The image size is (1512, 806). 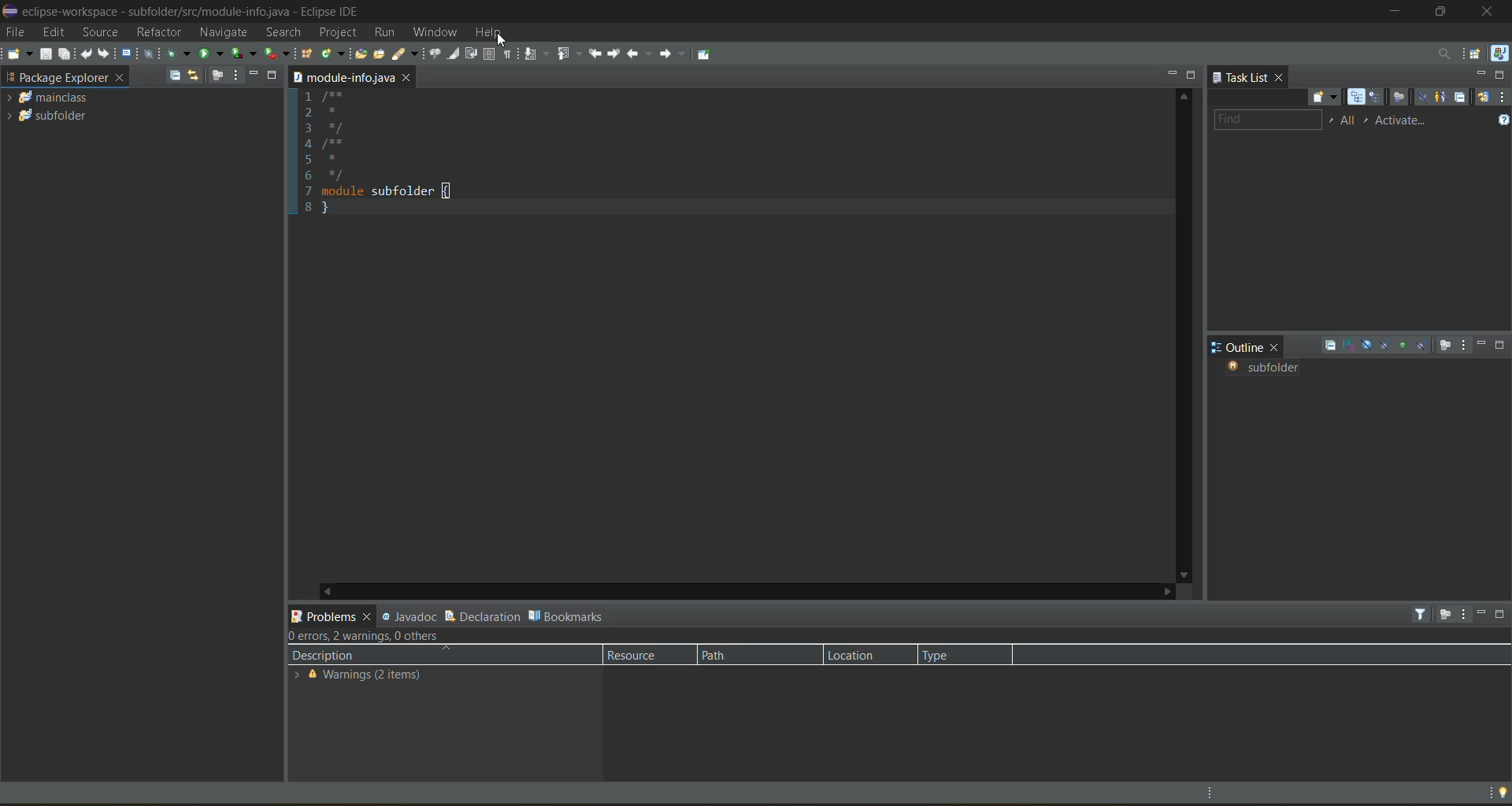 I want to click on synchronize changed, so click(x=1484, y=97).